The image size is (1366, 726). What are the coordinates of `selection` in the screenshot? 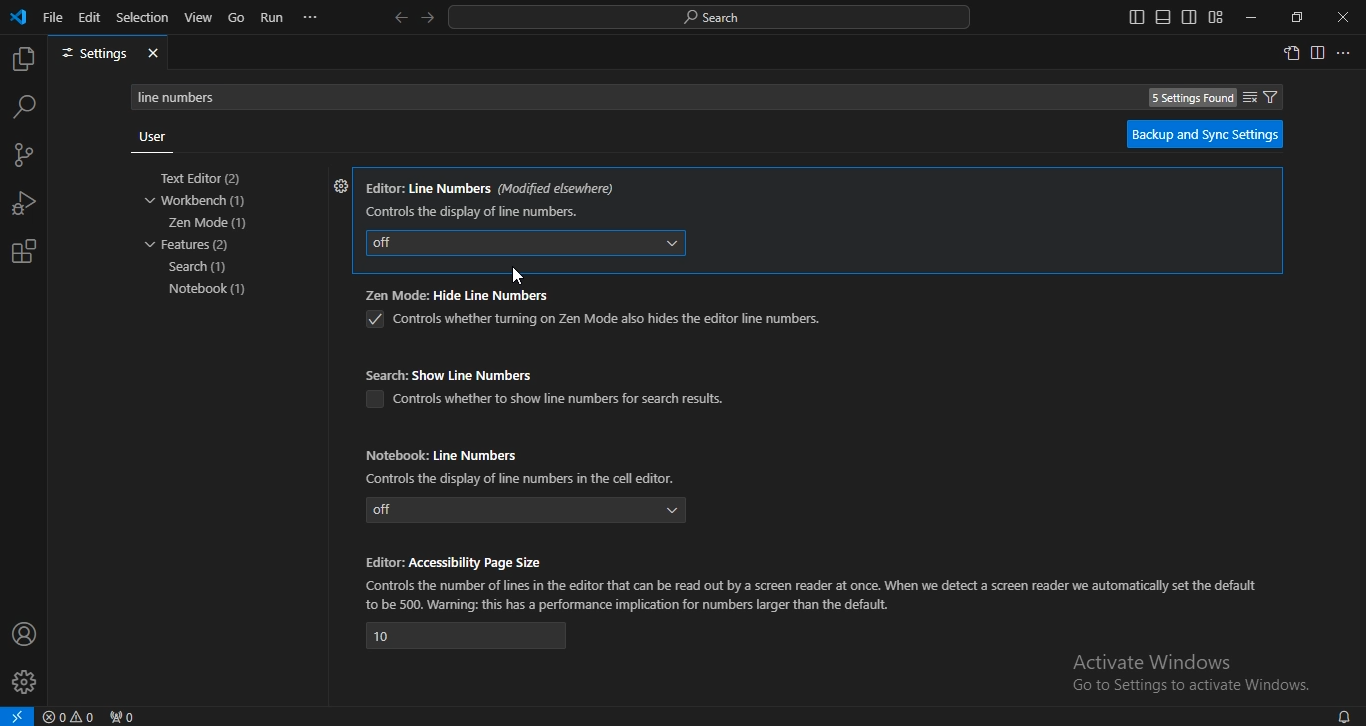 It's located at (143, 16).